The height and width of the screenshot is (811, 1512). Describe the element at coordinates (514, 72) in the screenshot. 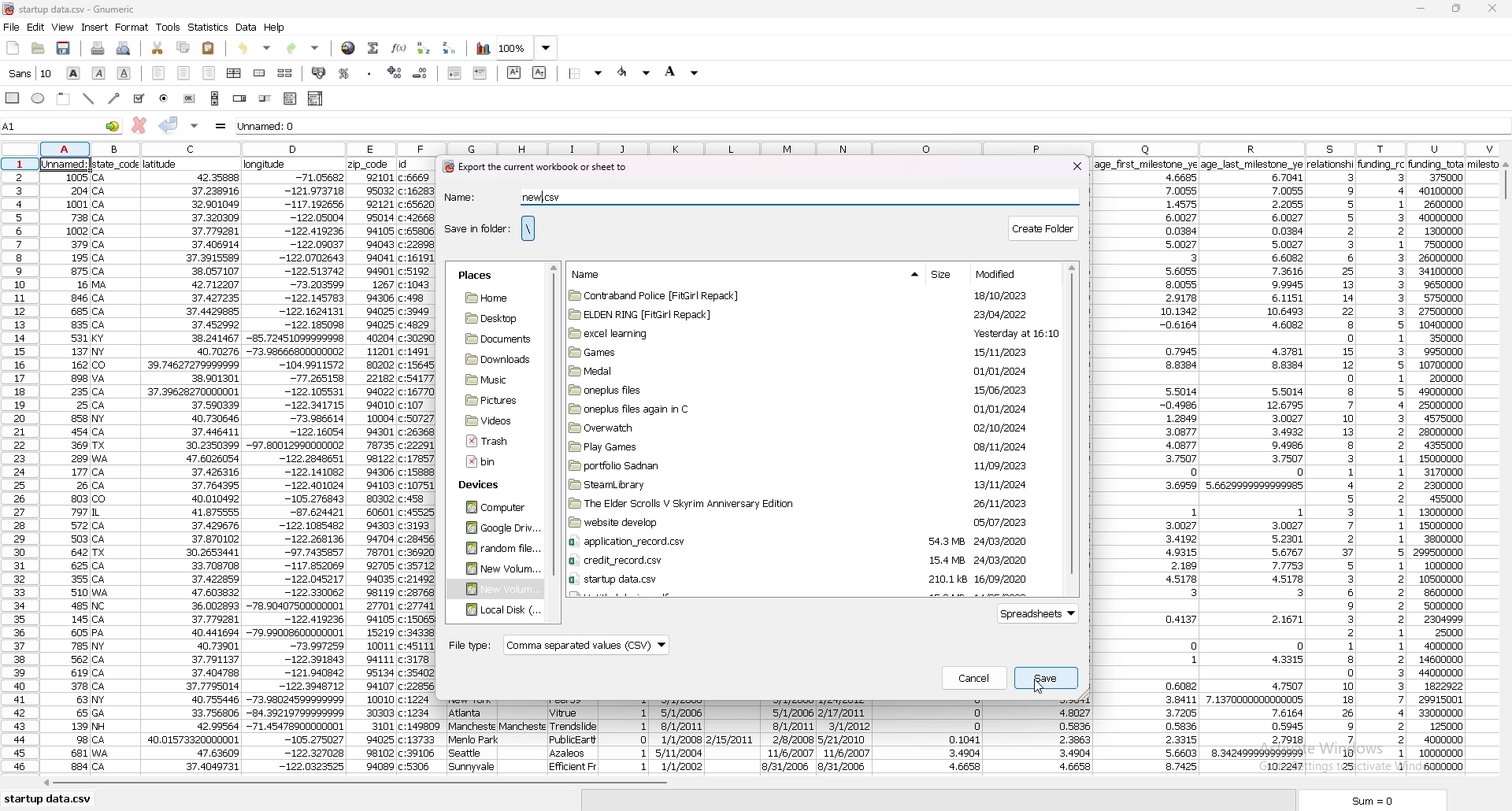

I see `supercript` at that location.